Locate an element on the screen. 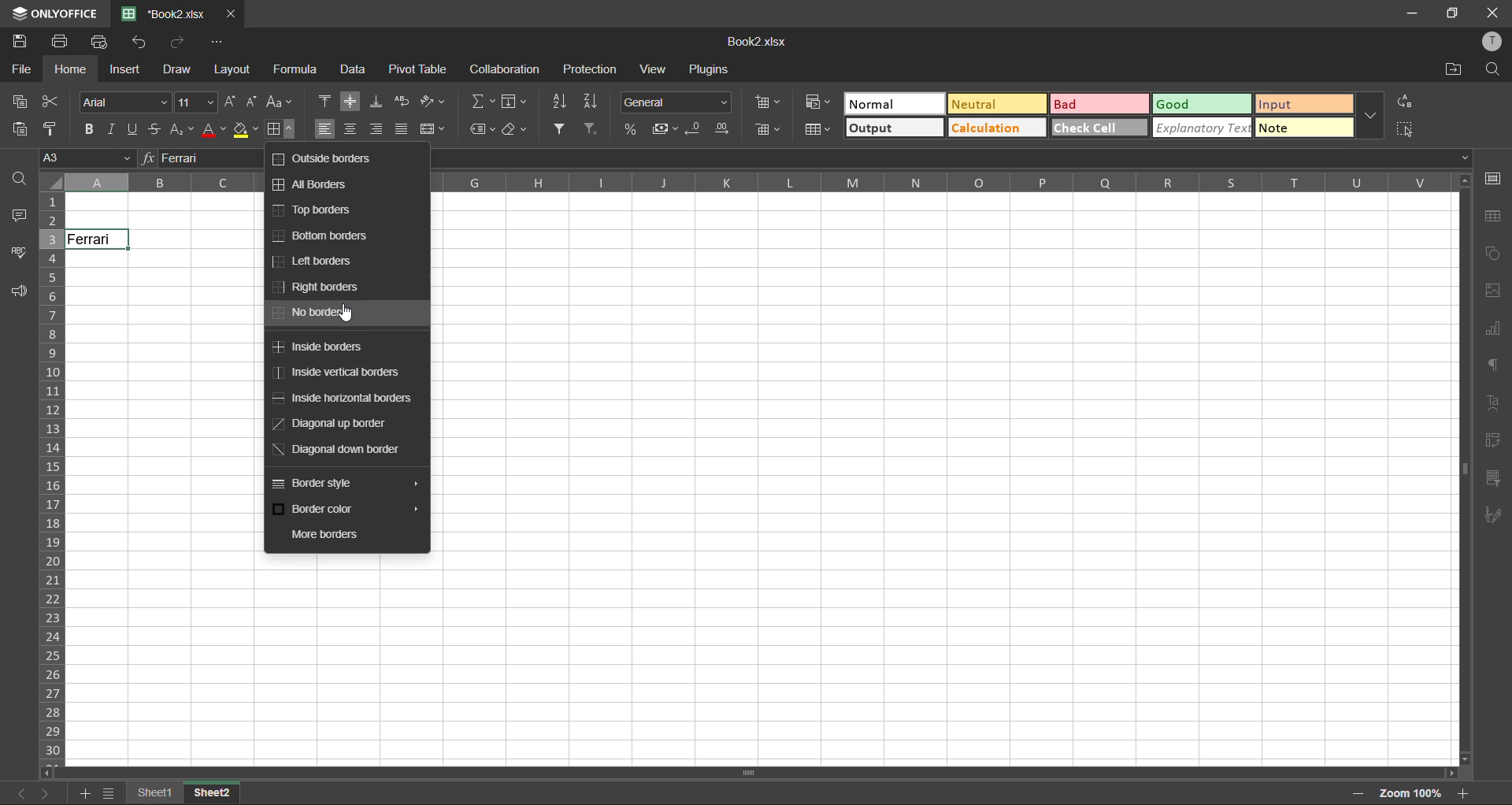 The height and width of the screenshot is (805, 1512). sort descending is located at coordinates (595, 102).